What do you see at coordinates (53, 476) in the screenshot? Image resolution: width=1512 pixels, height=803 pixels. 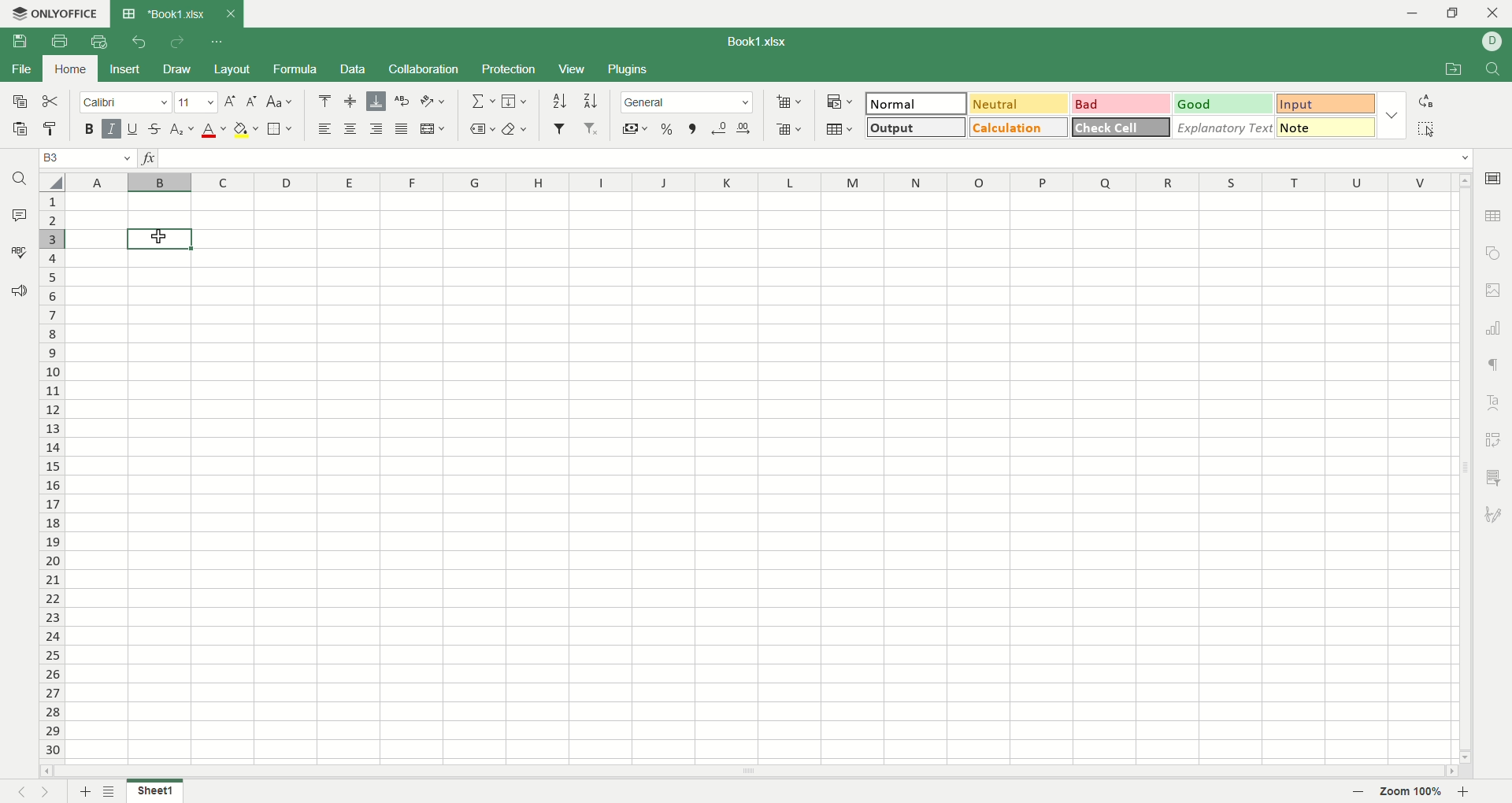 I see `row number` at bounding box center [53, 476].